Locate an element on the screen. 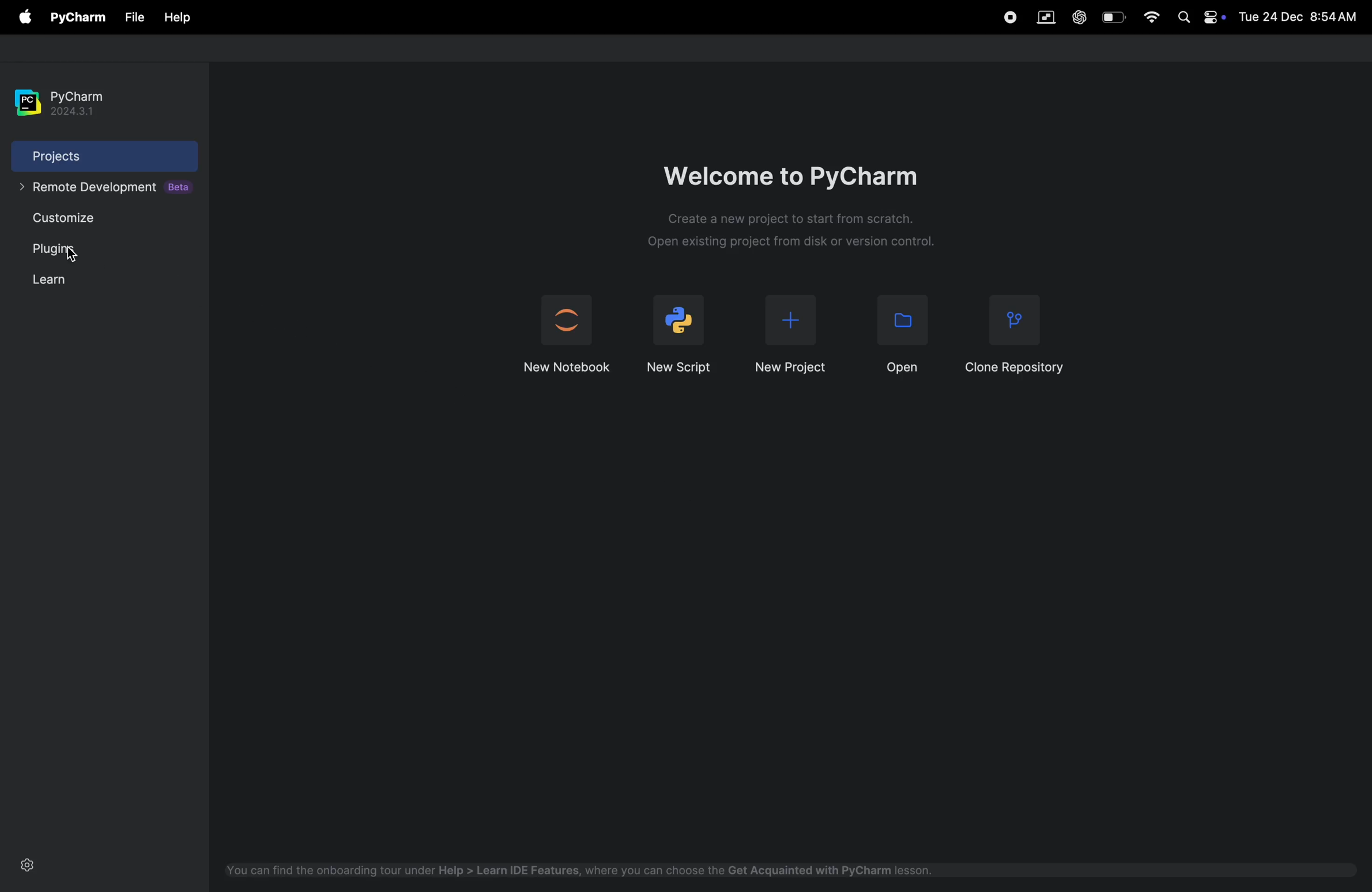  plugins is located at coordinates (70, 250).